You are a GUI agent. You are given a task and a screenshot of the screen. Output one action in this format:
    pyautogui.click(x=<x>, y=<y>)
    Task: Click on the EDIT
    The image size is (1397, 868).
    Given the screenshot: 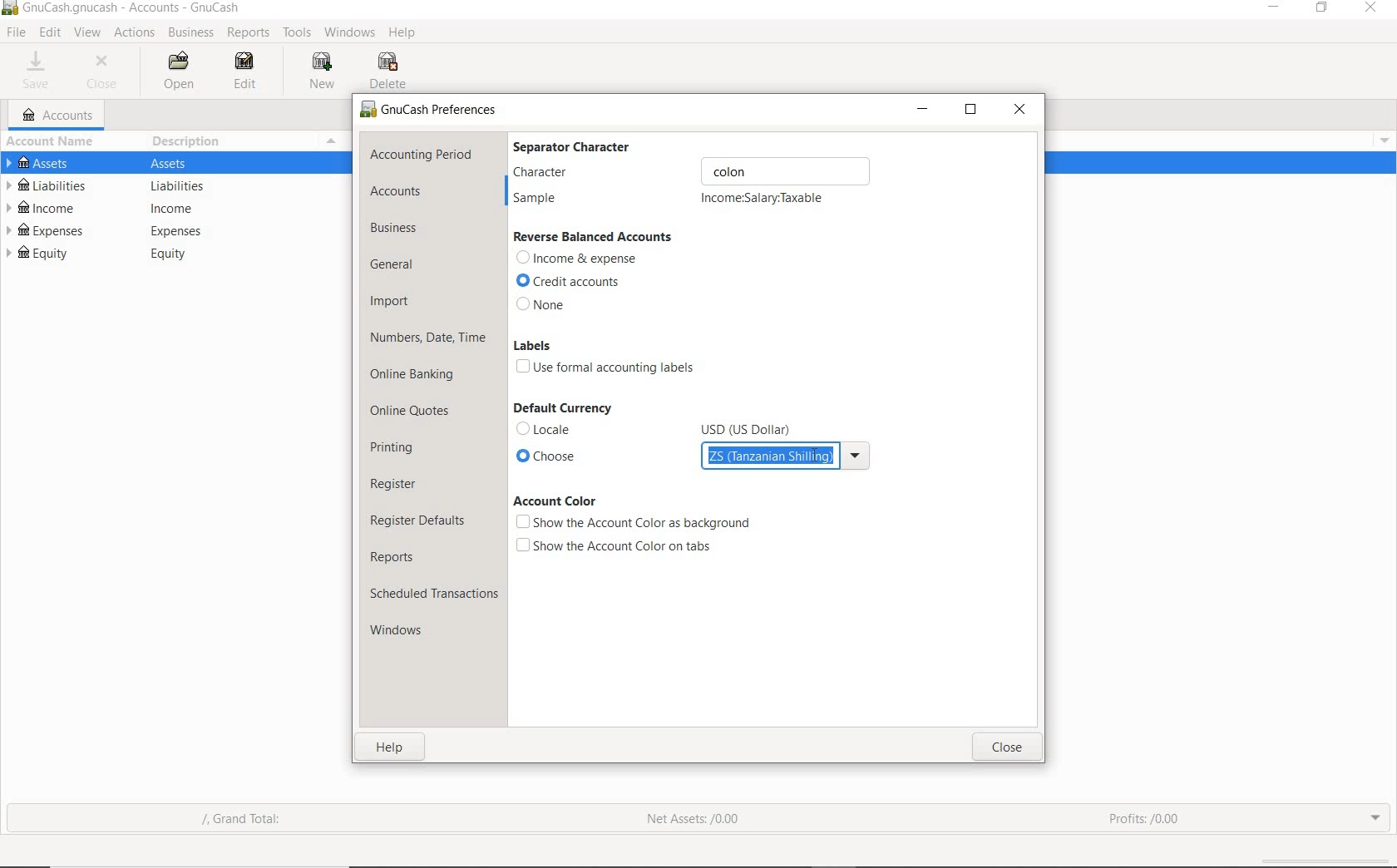 What is the action you would take?
    pyautogui.click(x=244, y=70)
    